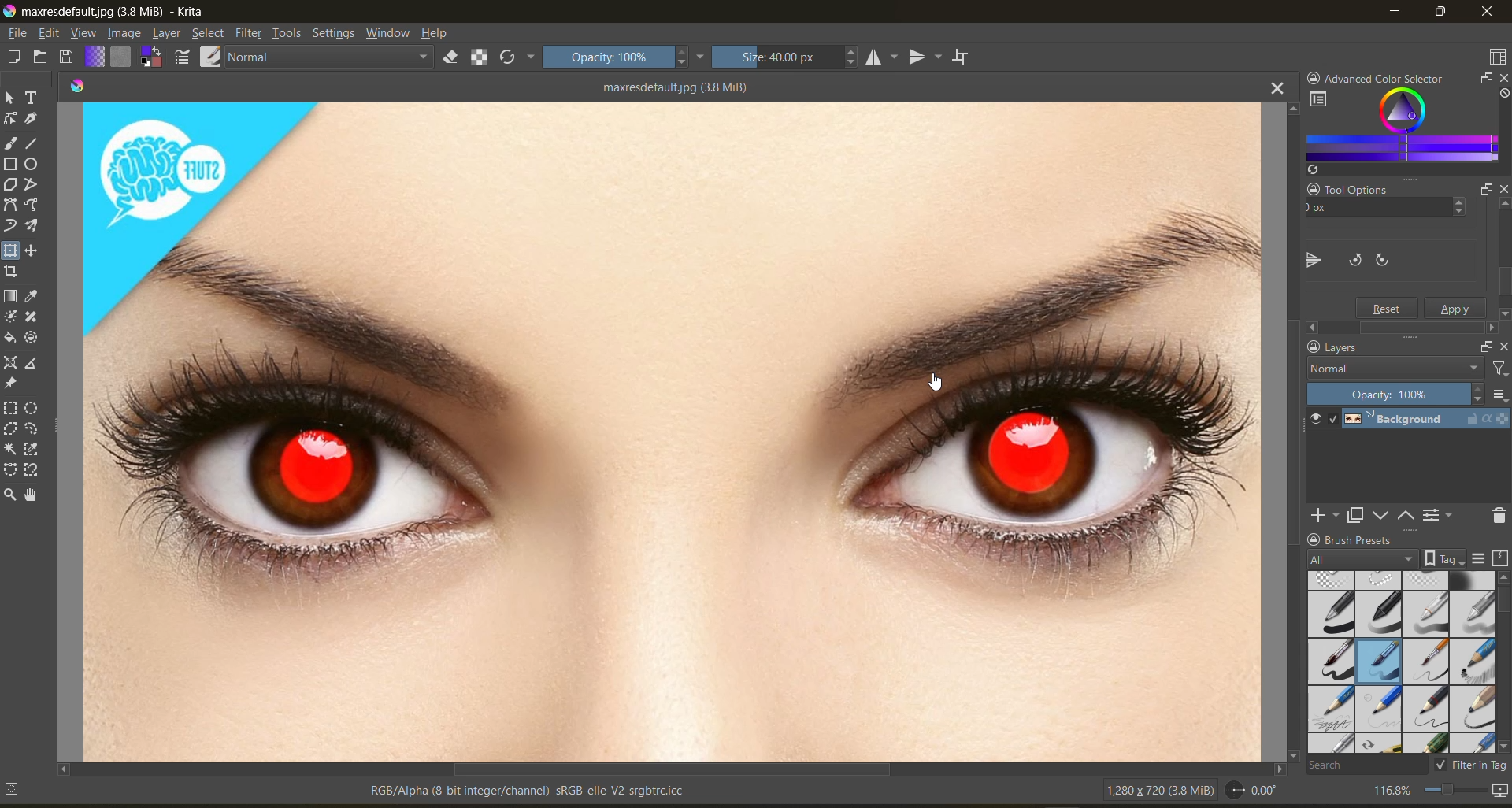 This screenshot has height=808, width=1512. I want to click on tool, so click(10, 119).